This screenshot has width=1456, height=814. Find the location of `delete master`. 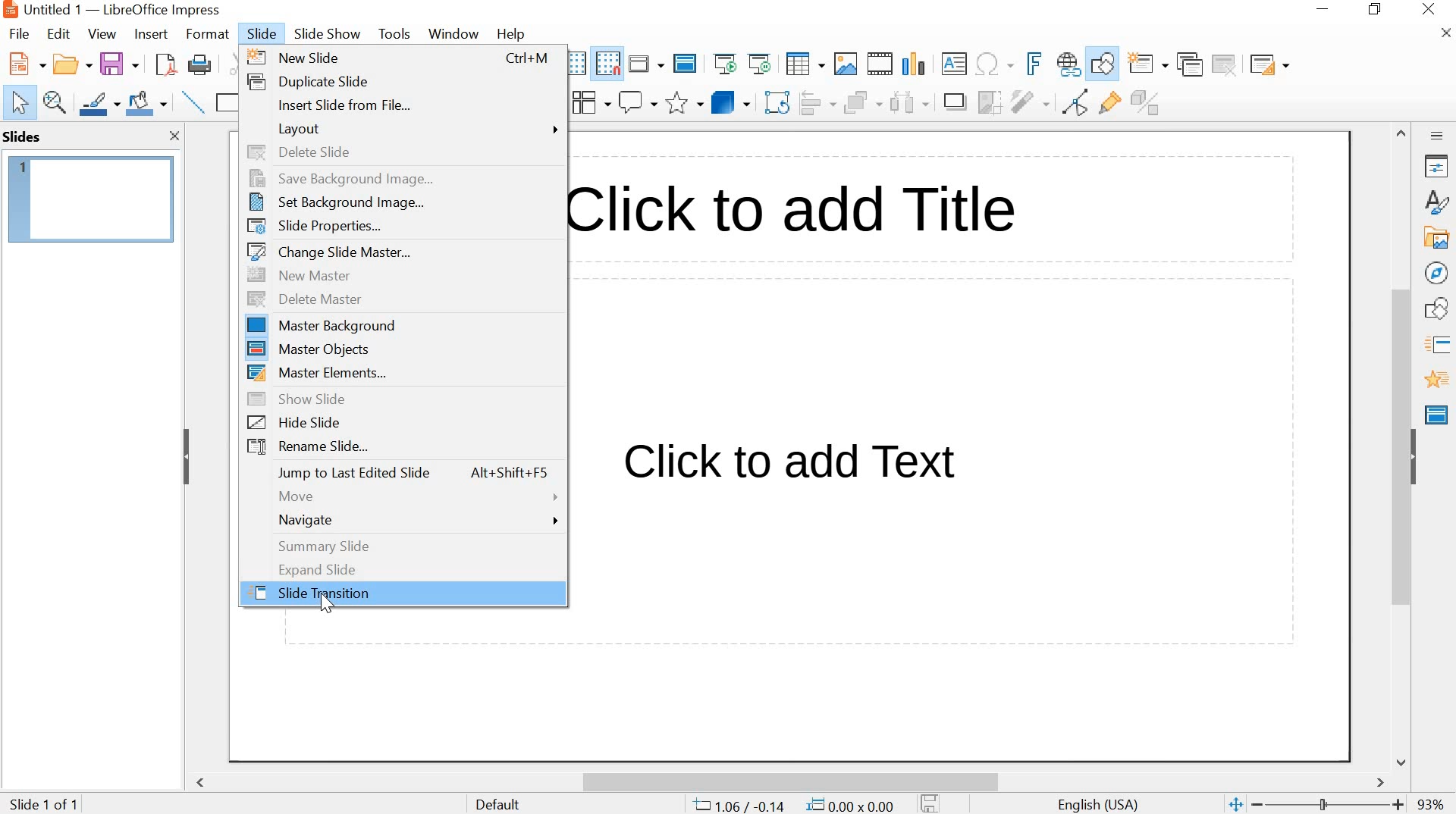

delete master is located at coordinates (403, 299).